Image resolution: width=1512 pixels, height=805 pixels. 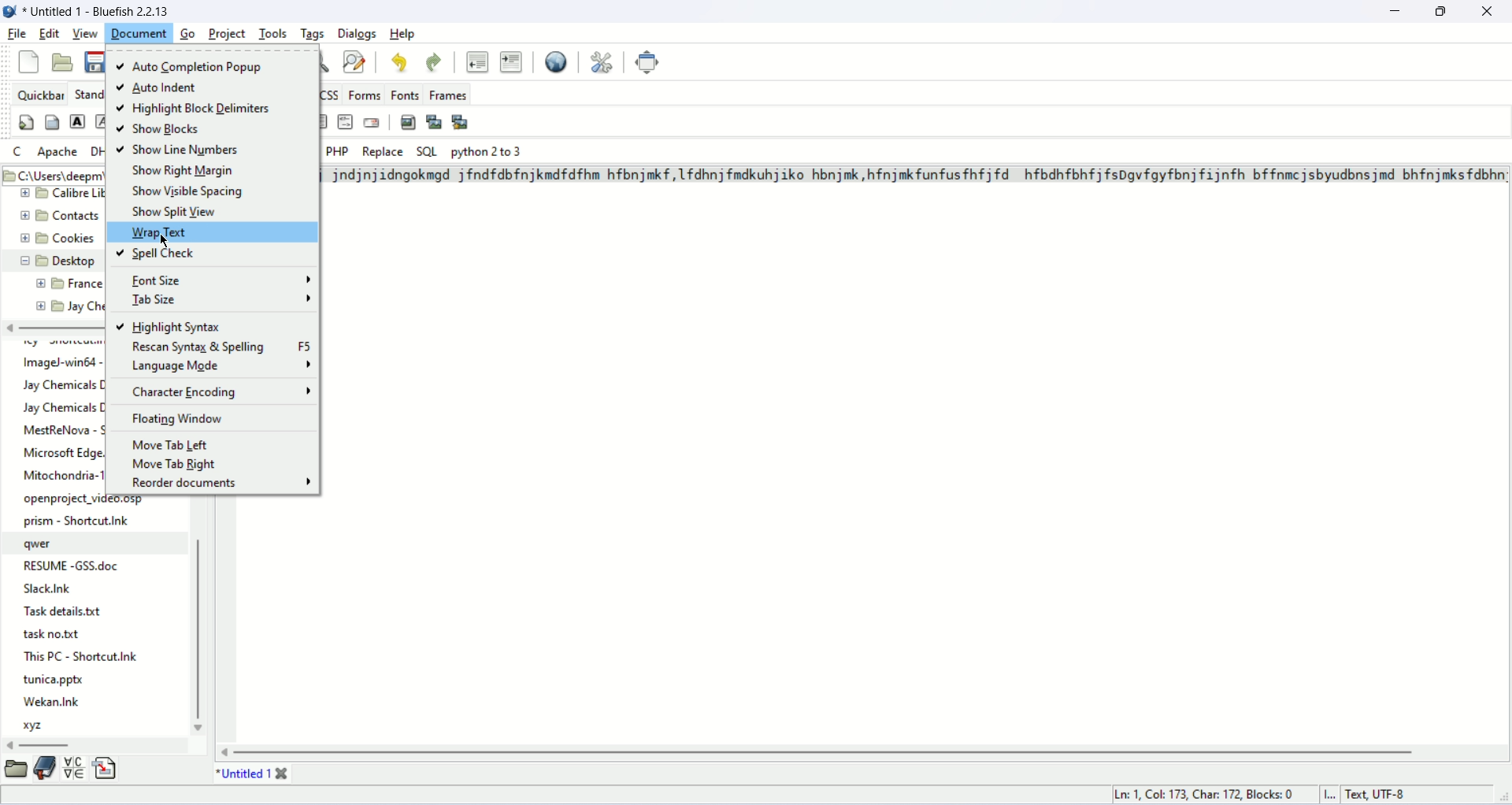 What do you see at coordinates (558, 61) in the screenshot?
I see `preview in browser` at bounding box center [558, 61].